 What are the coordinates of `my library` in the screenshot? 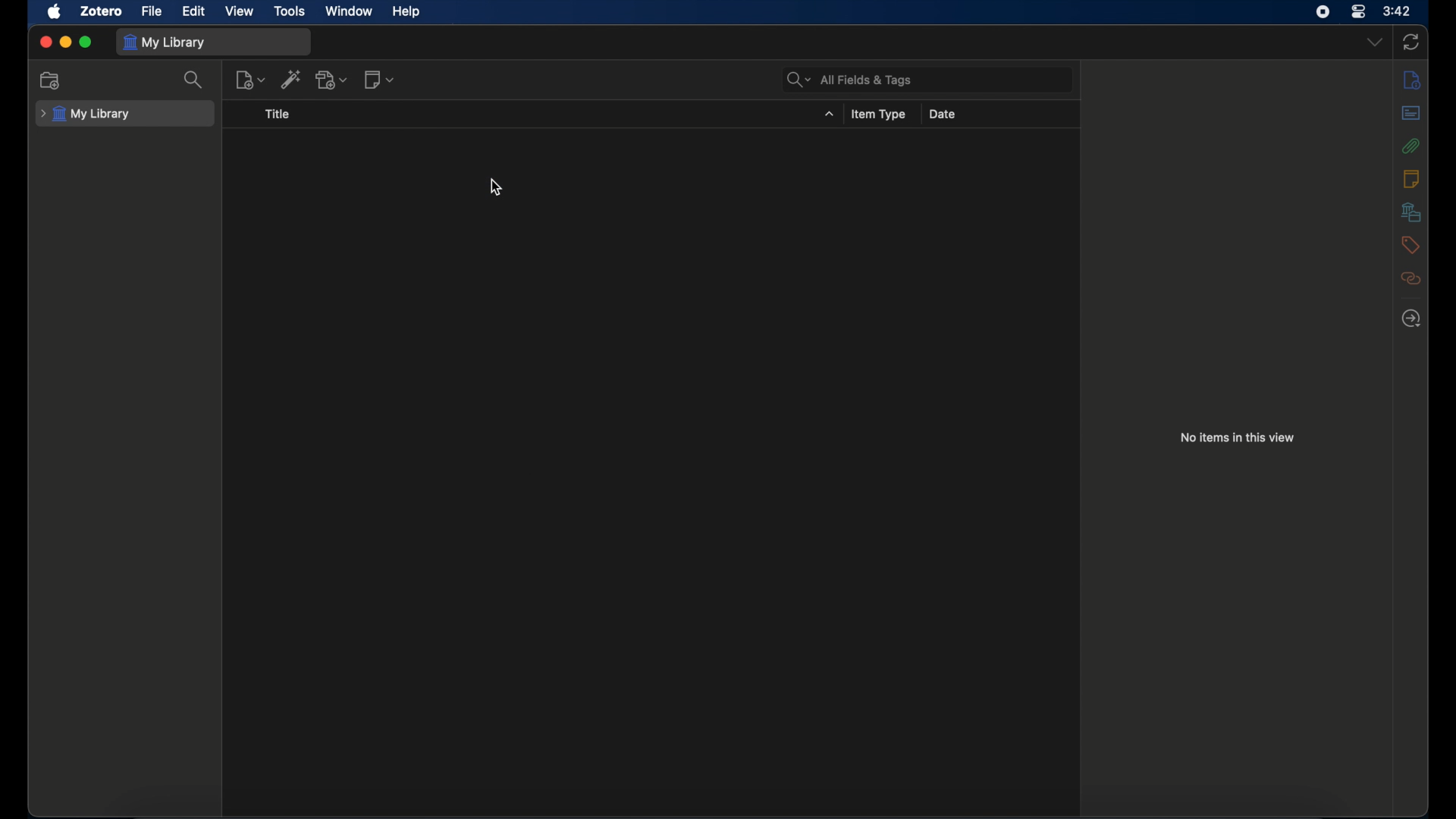 It's located at (165, 43).